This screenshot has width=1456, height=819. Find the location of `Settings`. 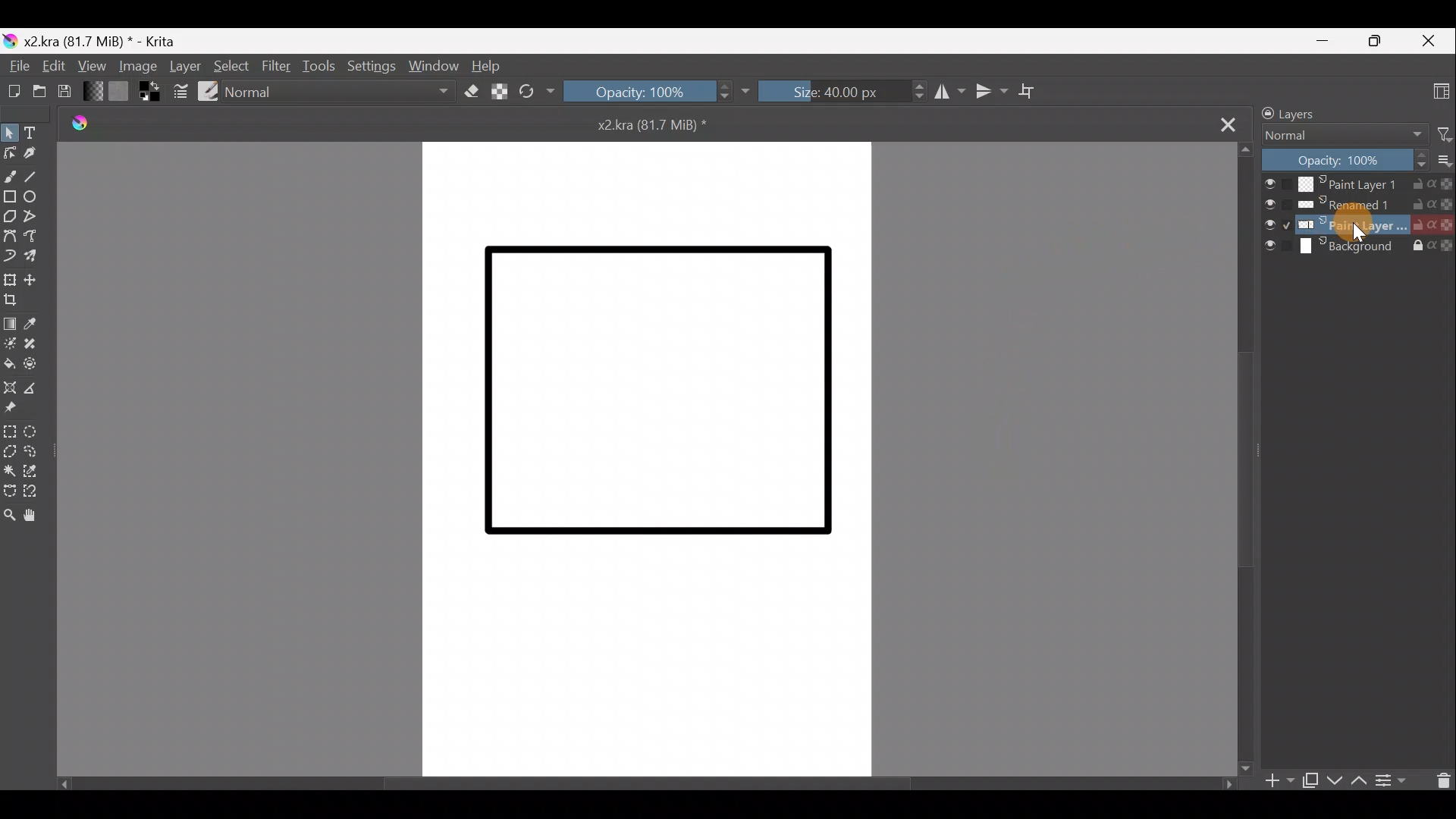

Settings is located at coordinates (369, 68).